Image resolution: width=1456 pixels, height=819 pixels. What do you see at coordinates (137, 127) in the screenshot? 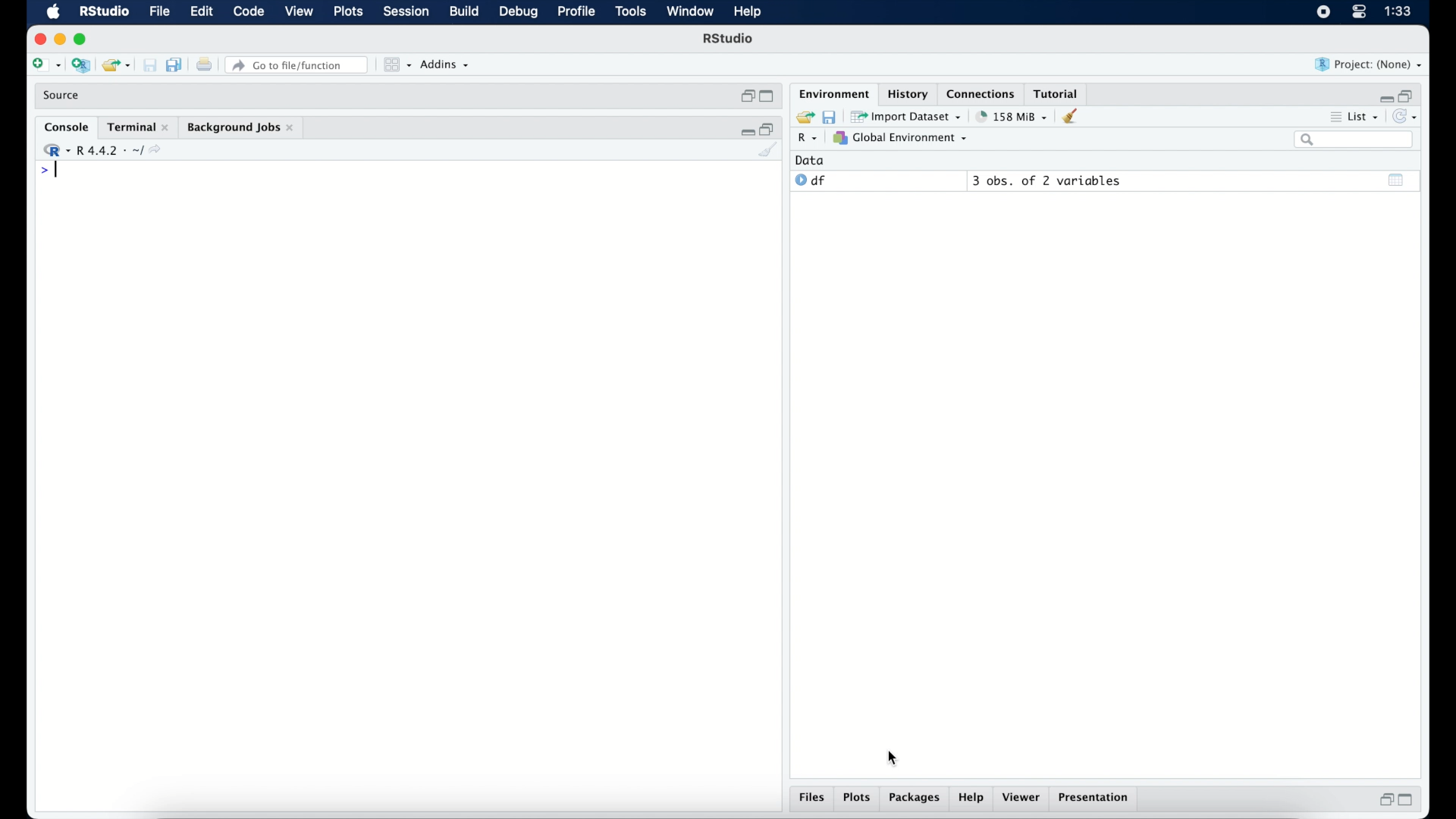
I see `terminal` at bounding box center [137, 127].